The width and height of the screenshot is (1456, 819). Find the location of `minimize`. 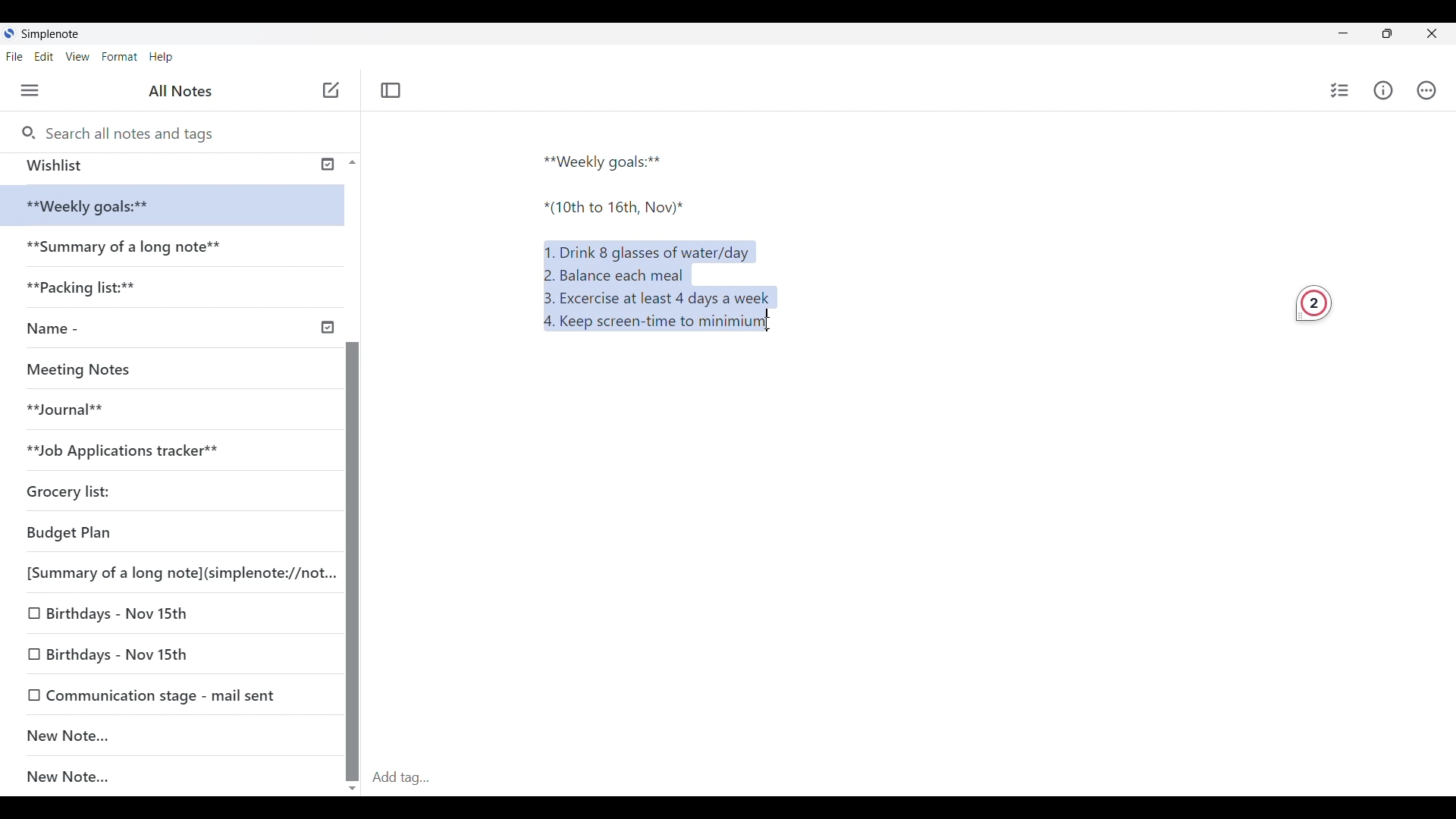

minimize is located at coordinates (1354, 36).